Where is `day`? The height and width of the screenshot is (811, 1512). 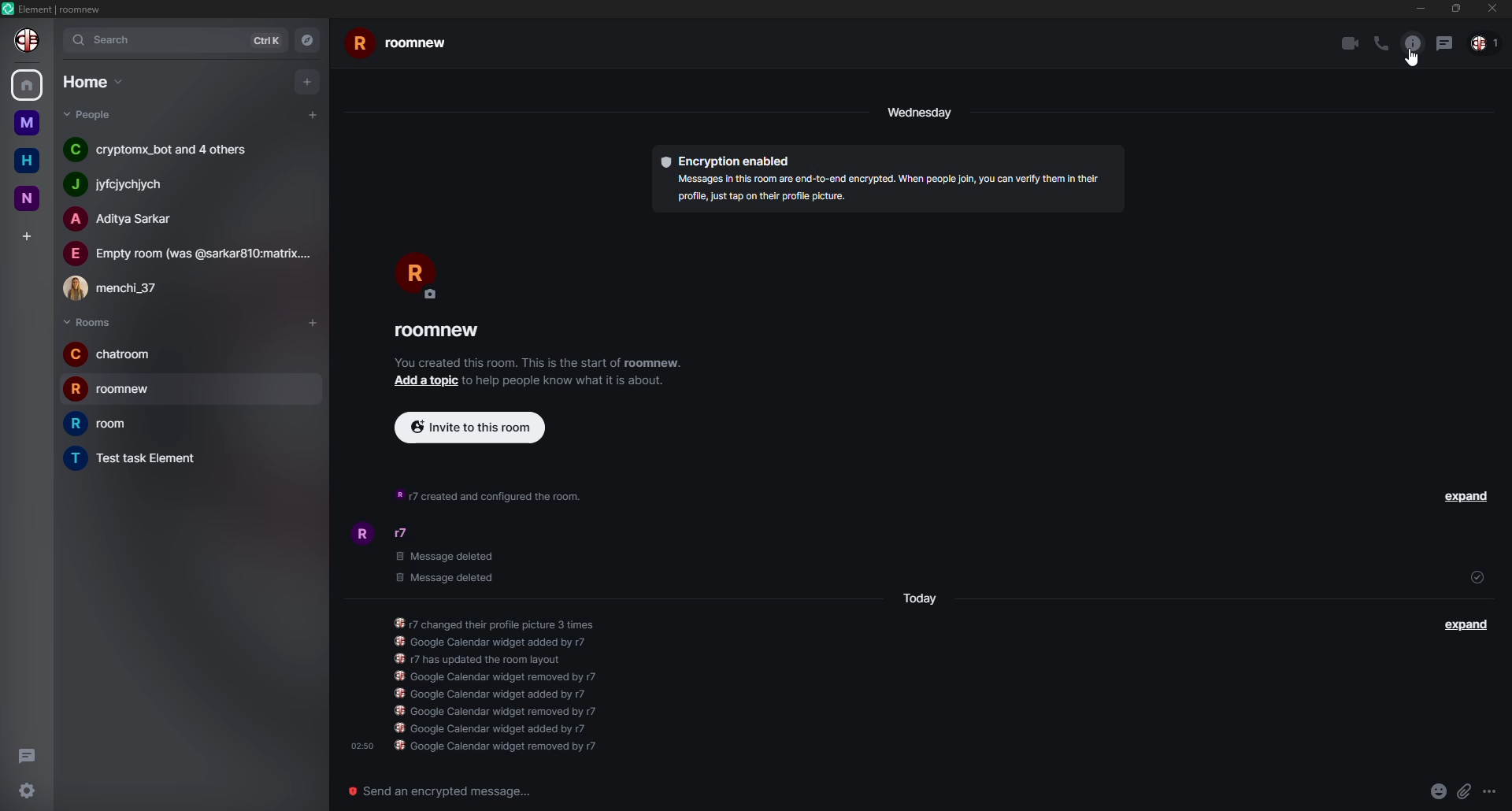 day is located at coordinates (920, 111).